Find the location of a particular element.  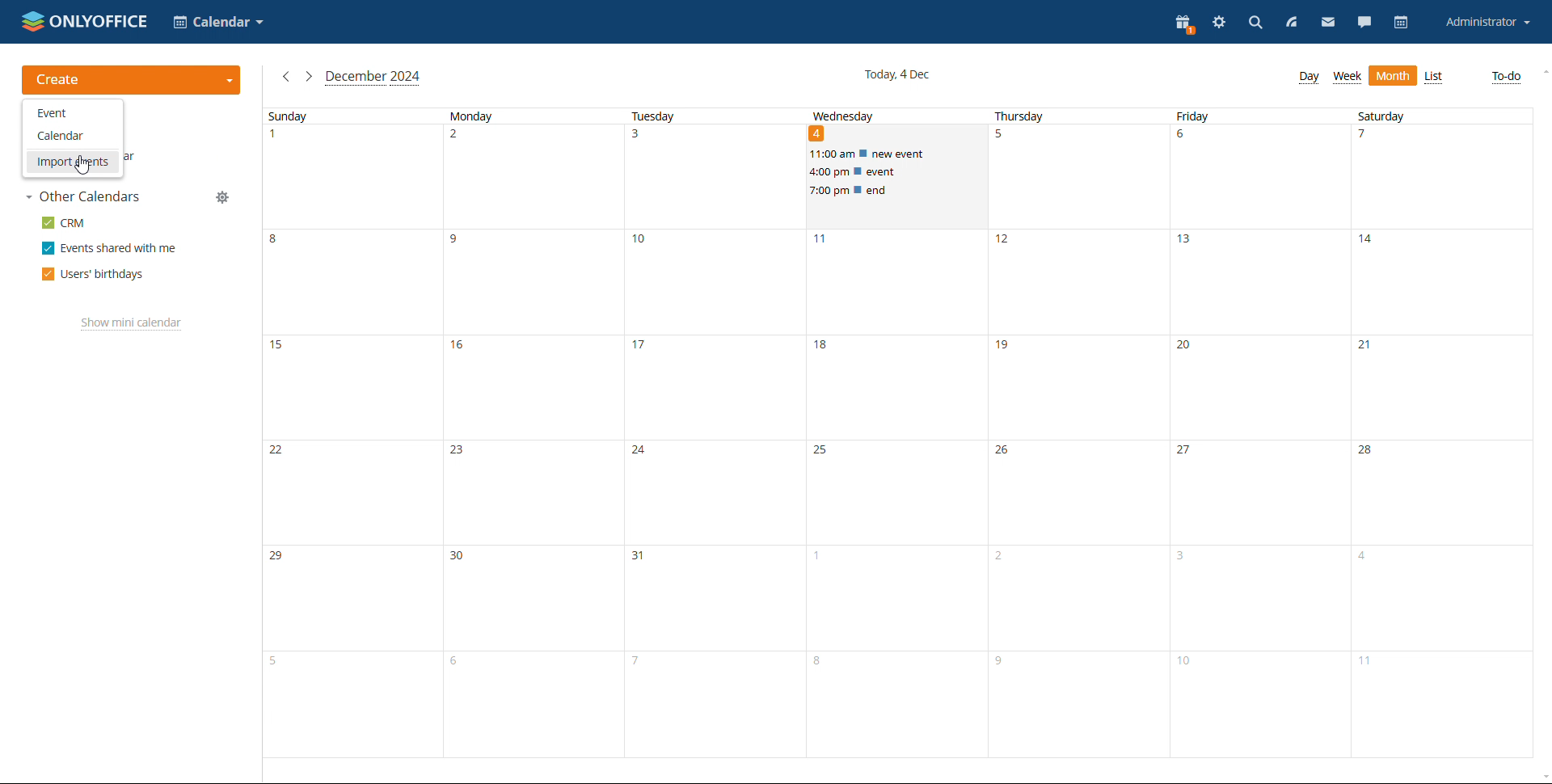

manage is located at coordinates (223, 197).